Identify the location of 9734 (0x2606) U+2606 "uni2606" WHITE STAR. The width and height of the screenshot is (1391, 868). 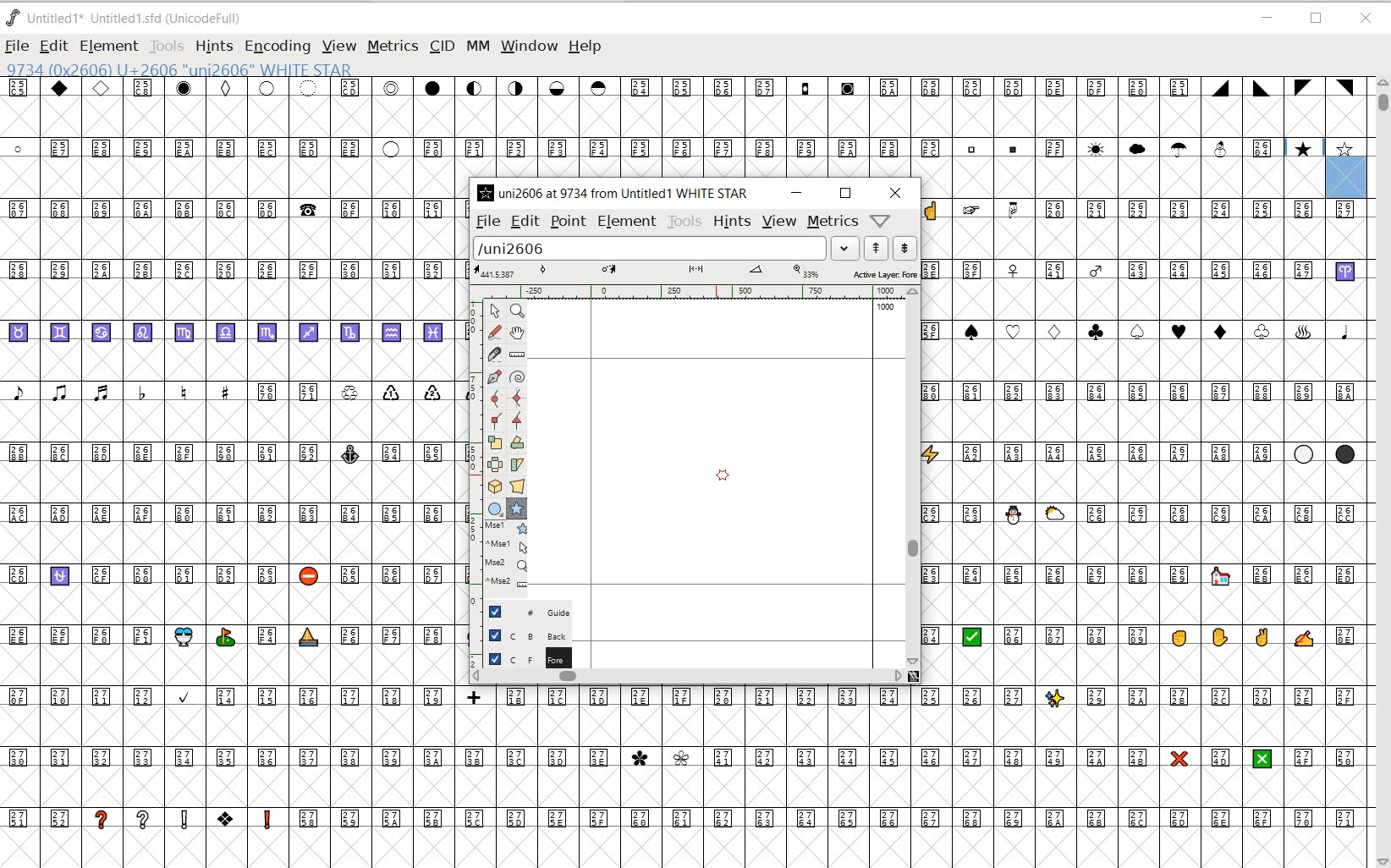
(180, 70).